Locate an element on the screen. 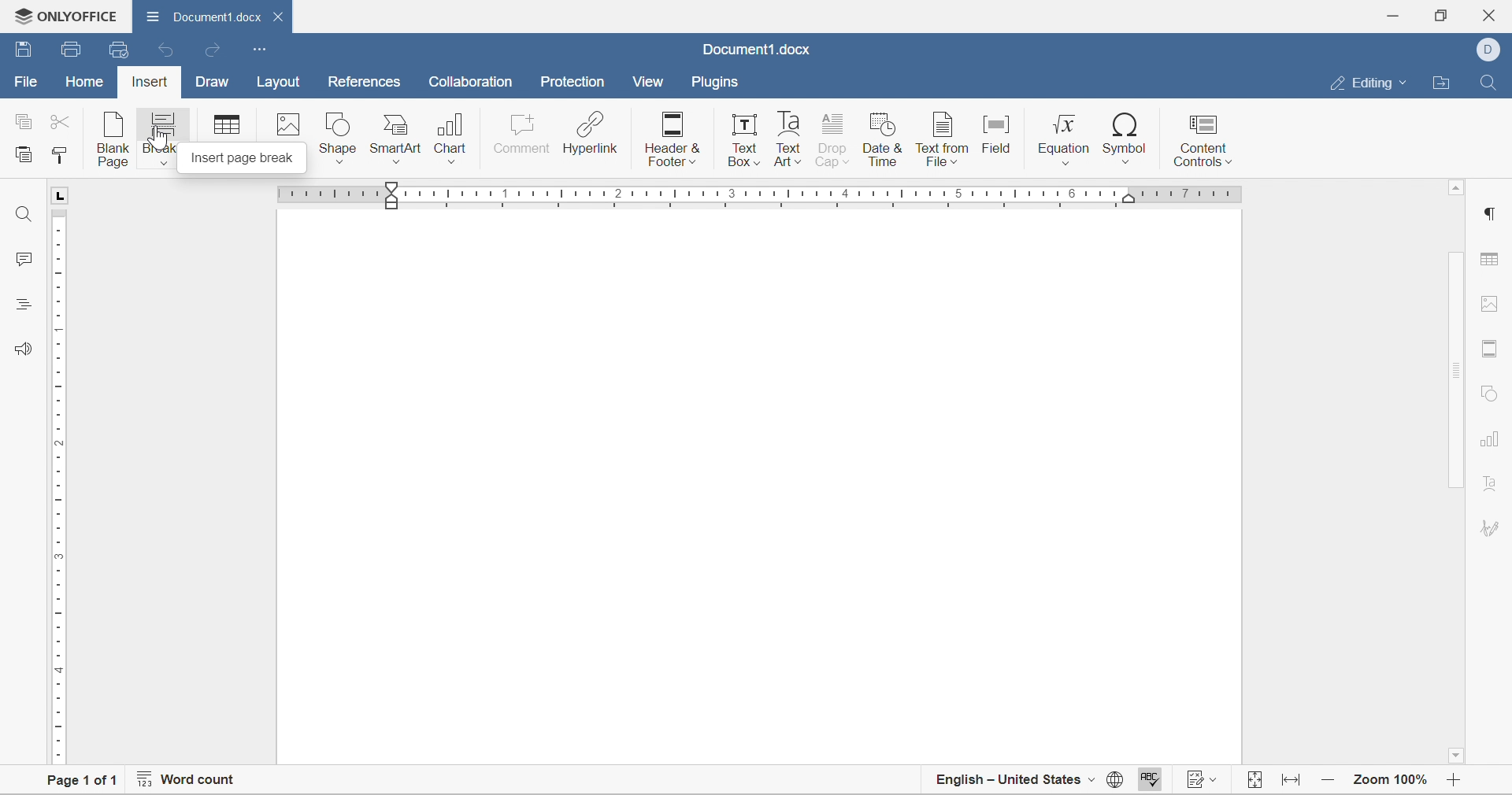 The image size is (1512, 795). Editing is located at coordinates (1369, 83).